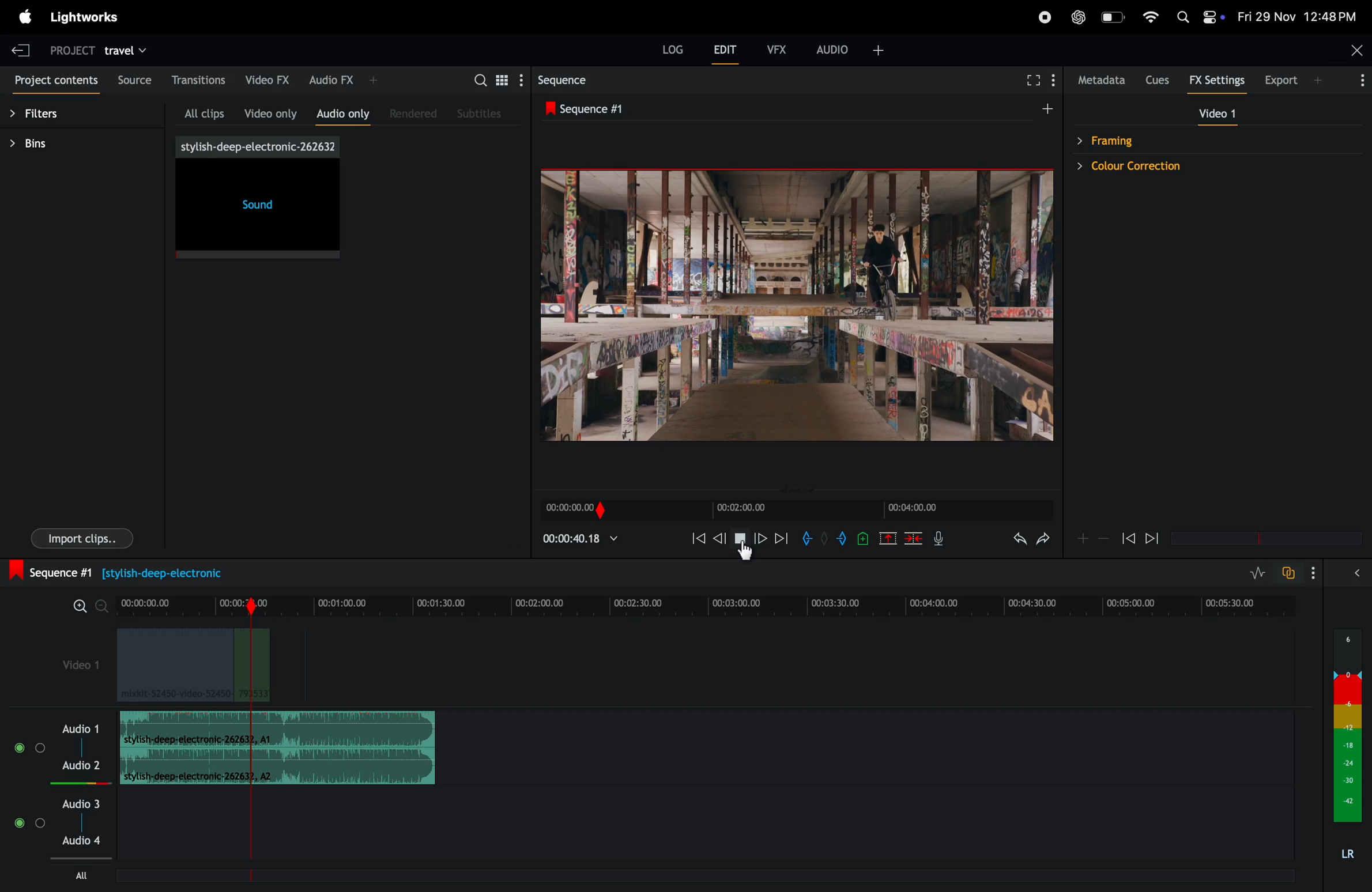 The width and height of the screenshot is (1372, 892). I want to click on audio fx, so click(345, 80).